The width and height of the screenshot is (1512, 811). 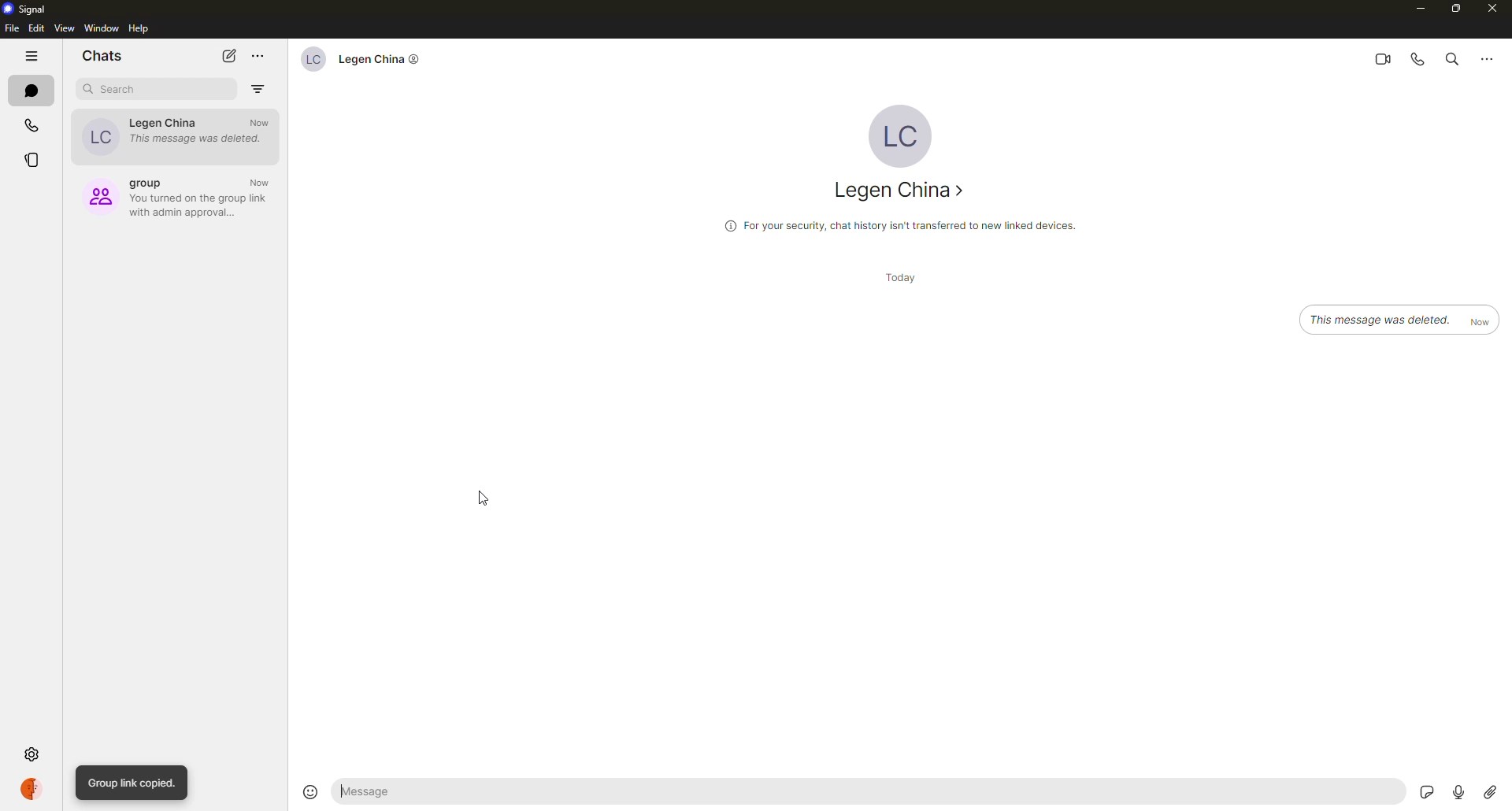 I want to click on search, so click(x=1449, y=61).